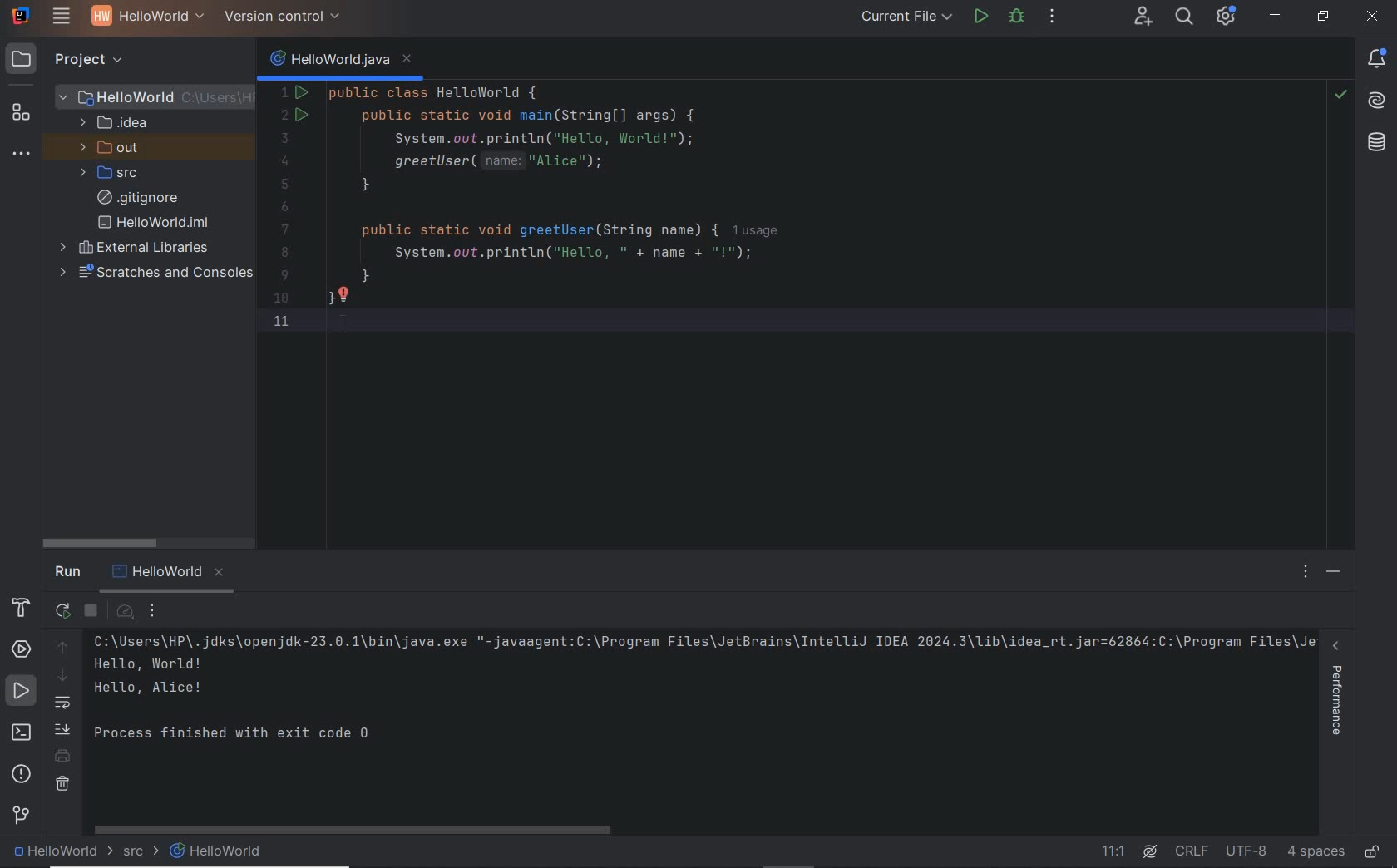 The width and height of the screenshot is (1397, 868). Describe the element at coordinates (62, 705) in the screenshot. I see `soft-wrap` at that location.